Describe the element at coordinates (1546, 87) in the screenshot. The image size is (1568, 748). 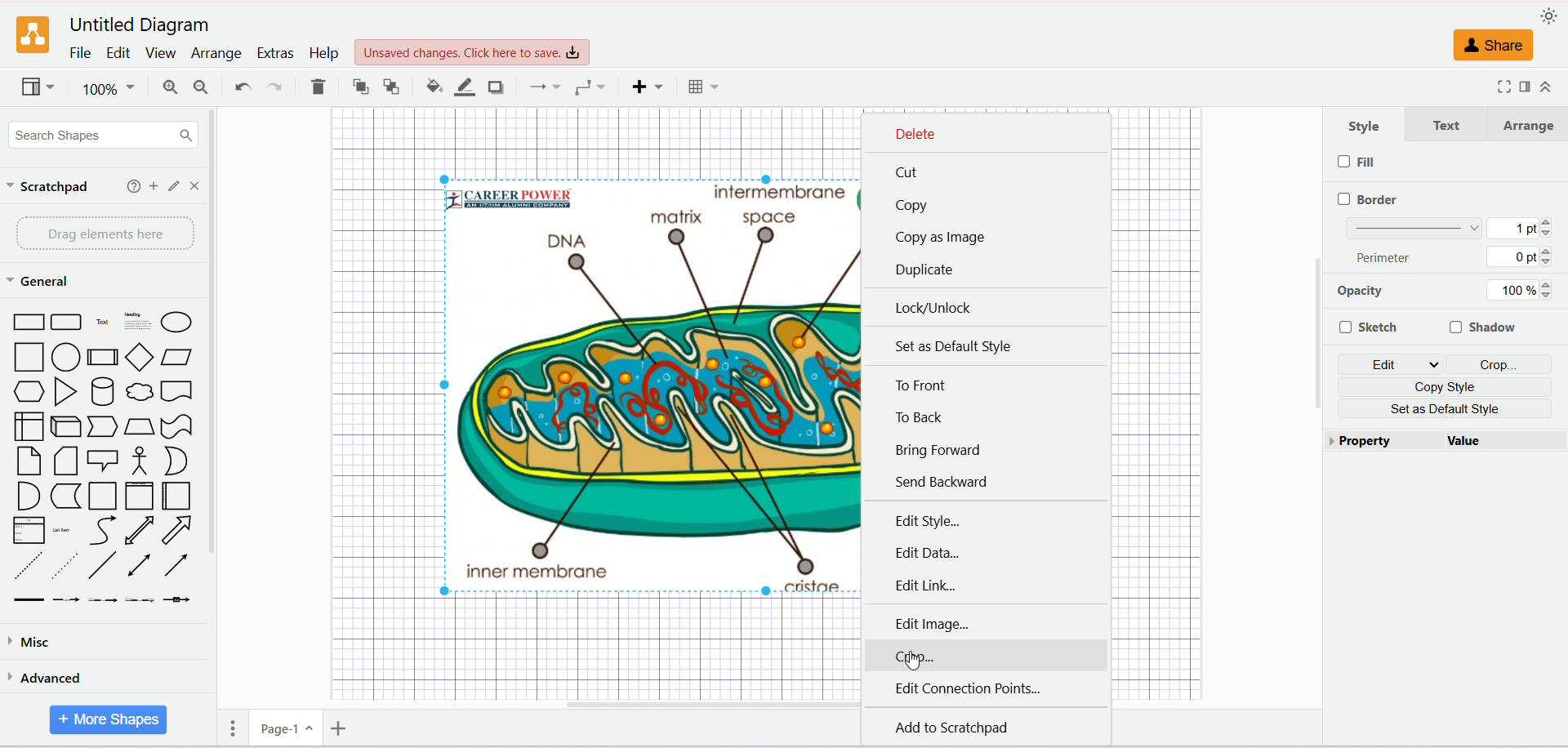
I see `collapse/expand` at that location.